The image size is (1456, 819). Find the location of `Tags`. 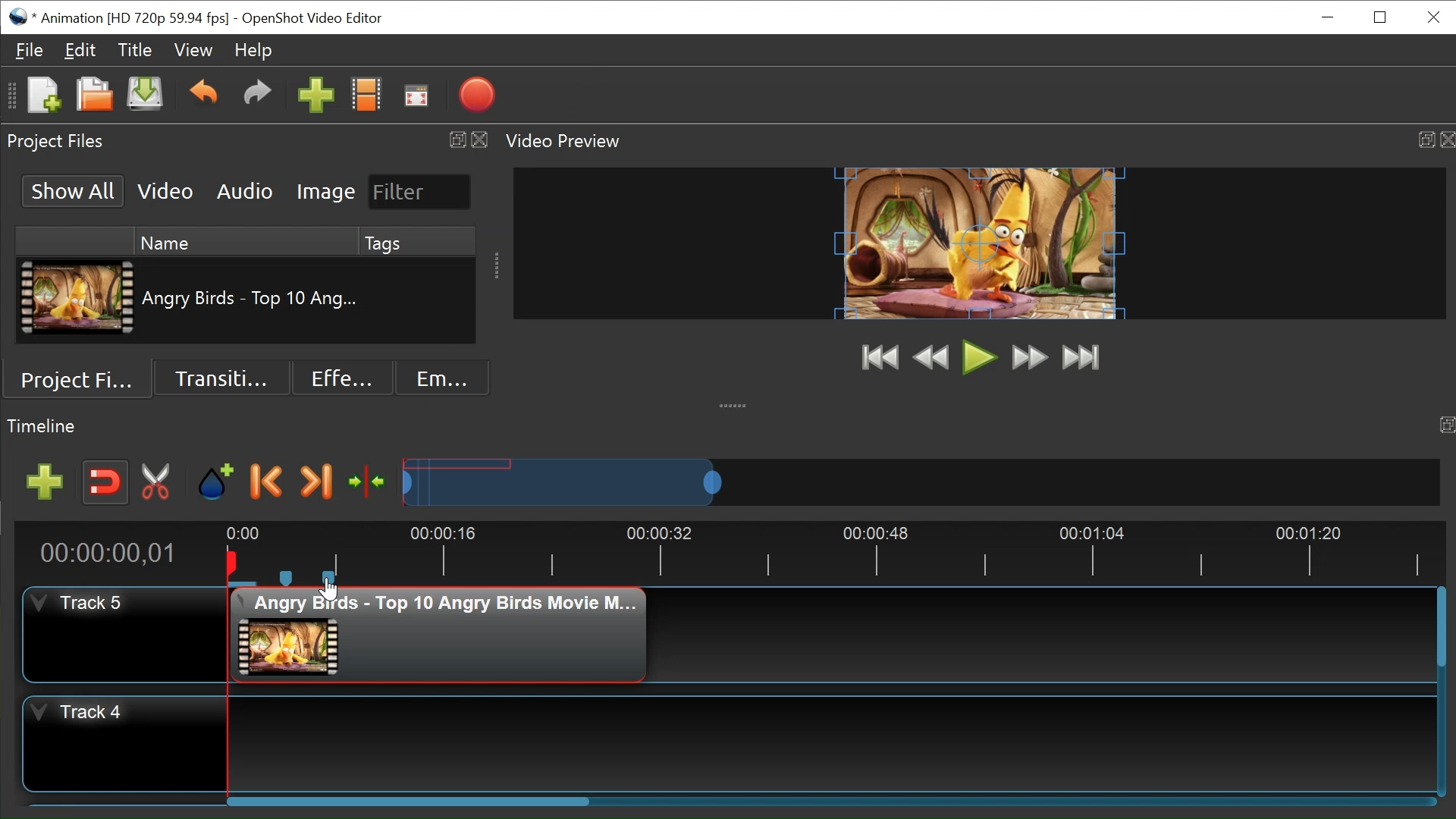

Tags is located at coordinates (417, 242).